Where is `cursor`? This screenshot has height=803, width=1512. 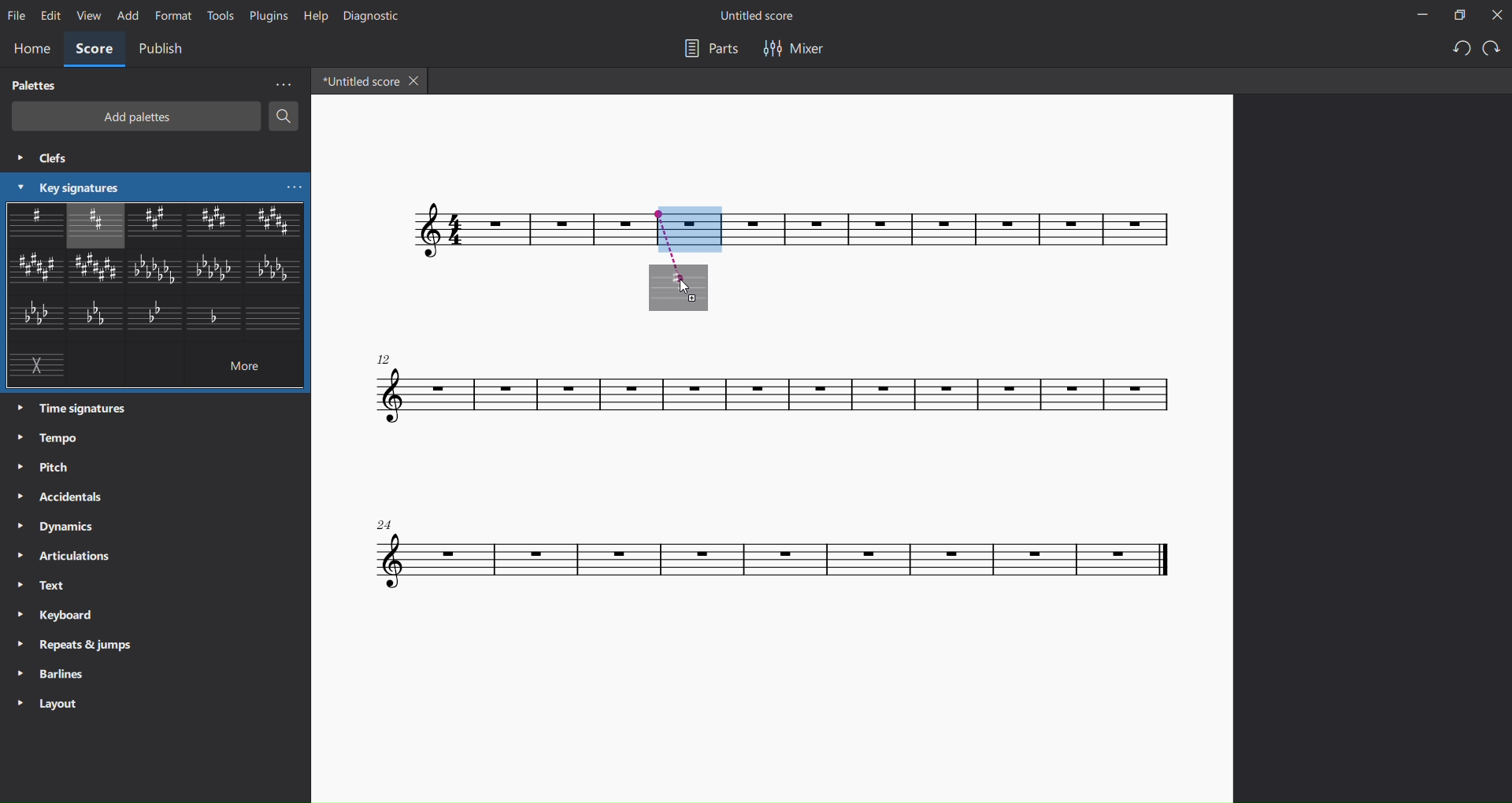 cursor is located at coordinates (684, 284).